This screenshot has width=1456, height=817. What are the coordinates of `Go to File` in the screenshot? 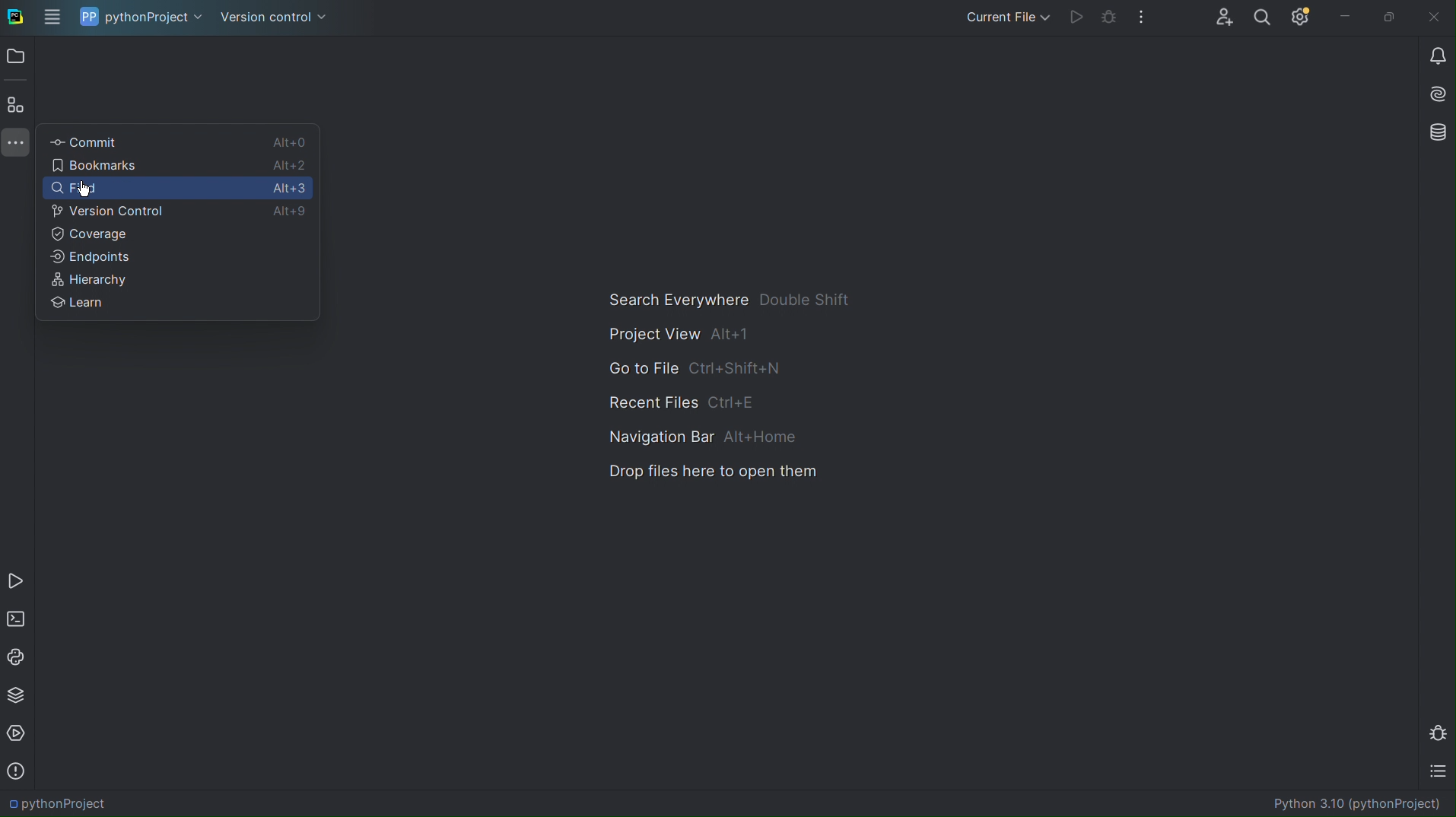 It's located at (698, 366).